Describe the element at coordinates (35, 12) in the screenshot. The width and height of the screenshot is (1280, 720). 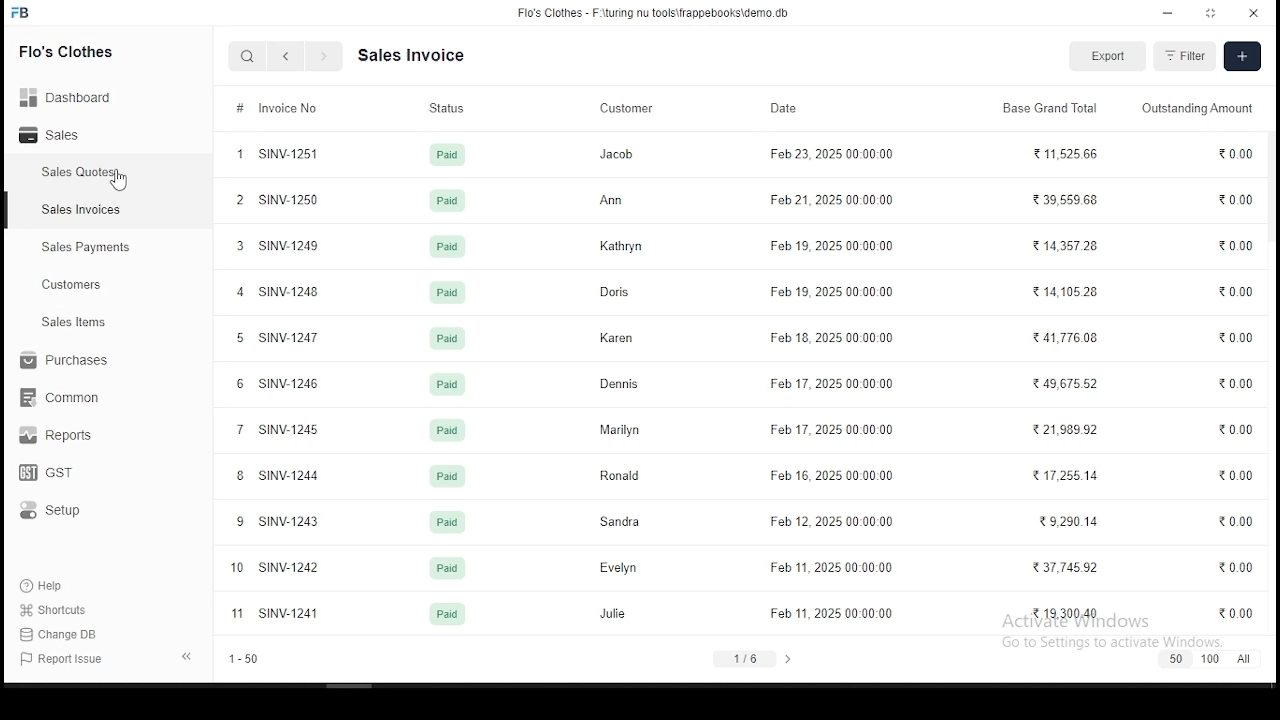
I see `FB` at that location.